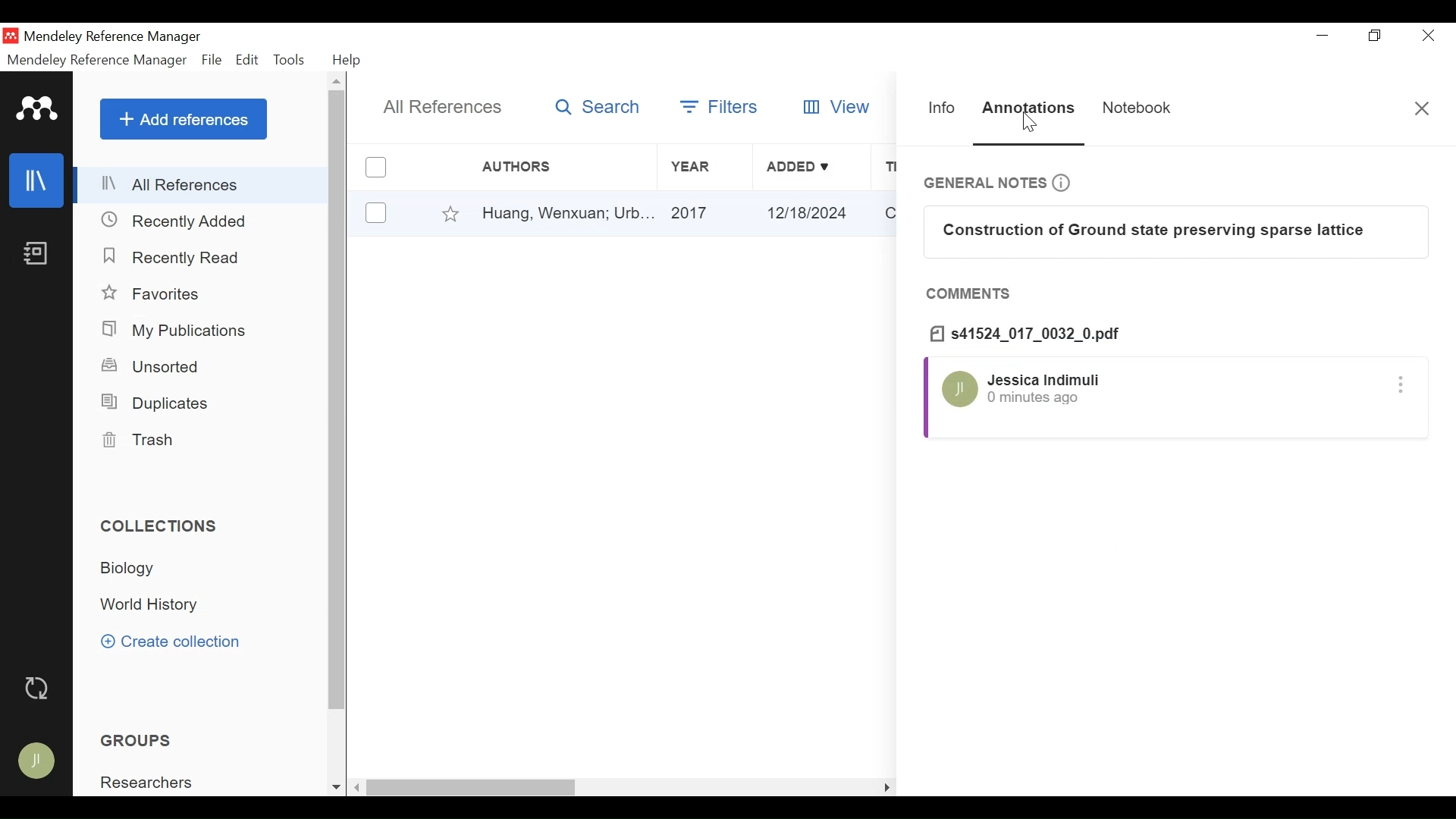 The image size is (1456, 819). I want to click on Tools, so click(292, 60).